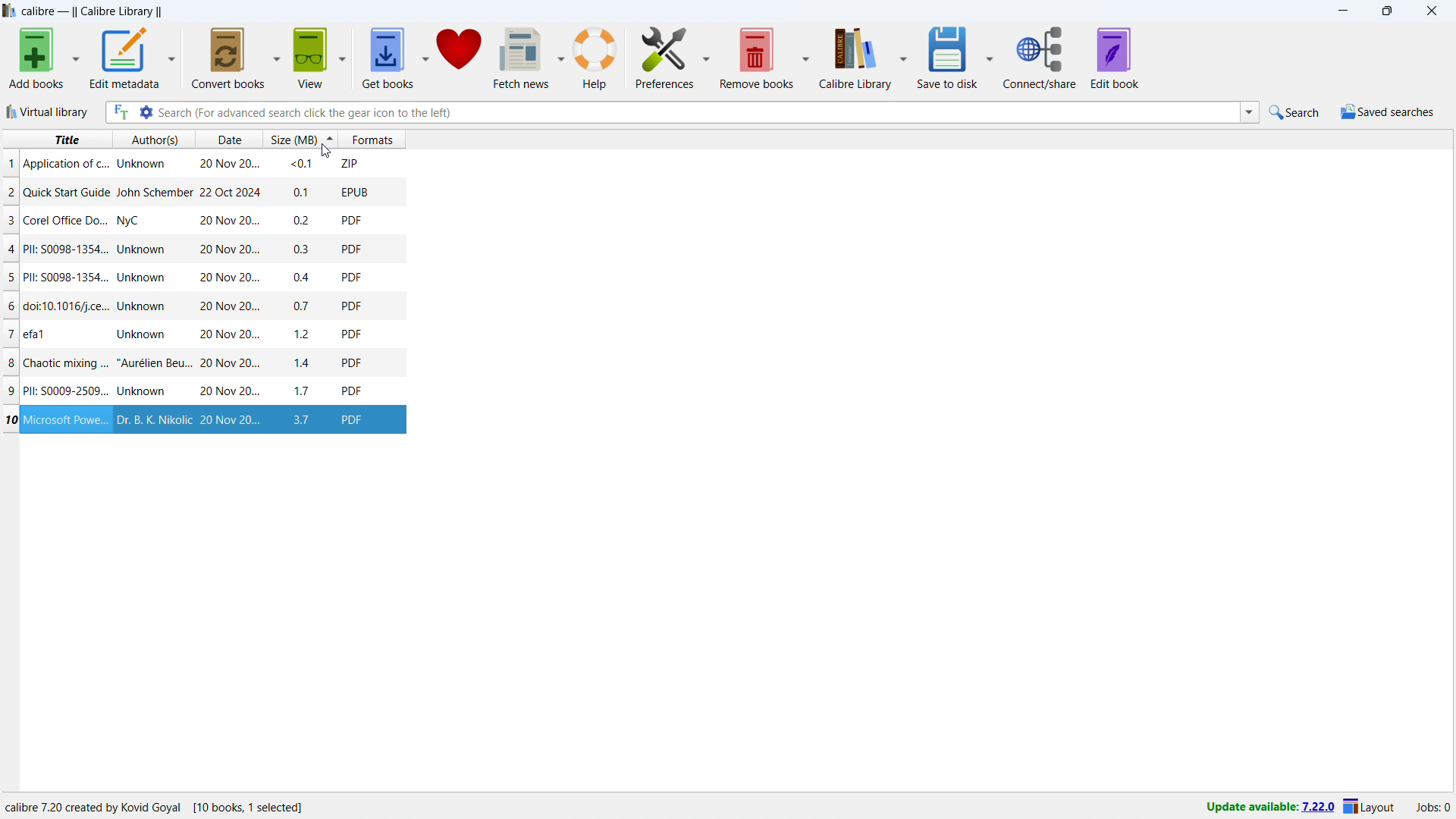  Describe the element at coordinates (561, 56) in the screenshot. I see `fetch news options` at that location.